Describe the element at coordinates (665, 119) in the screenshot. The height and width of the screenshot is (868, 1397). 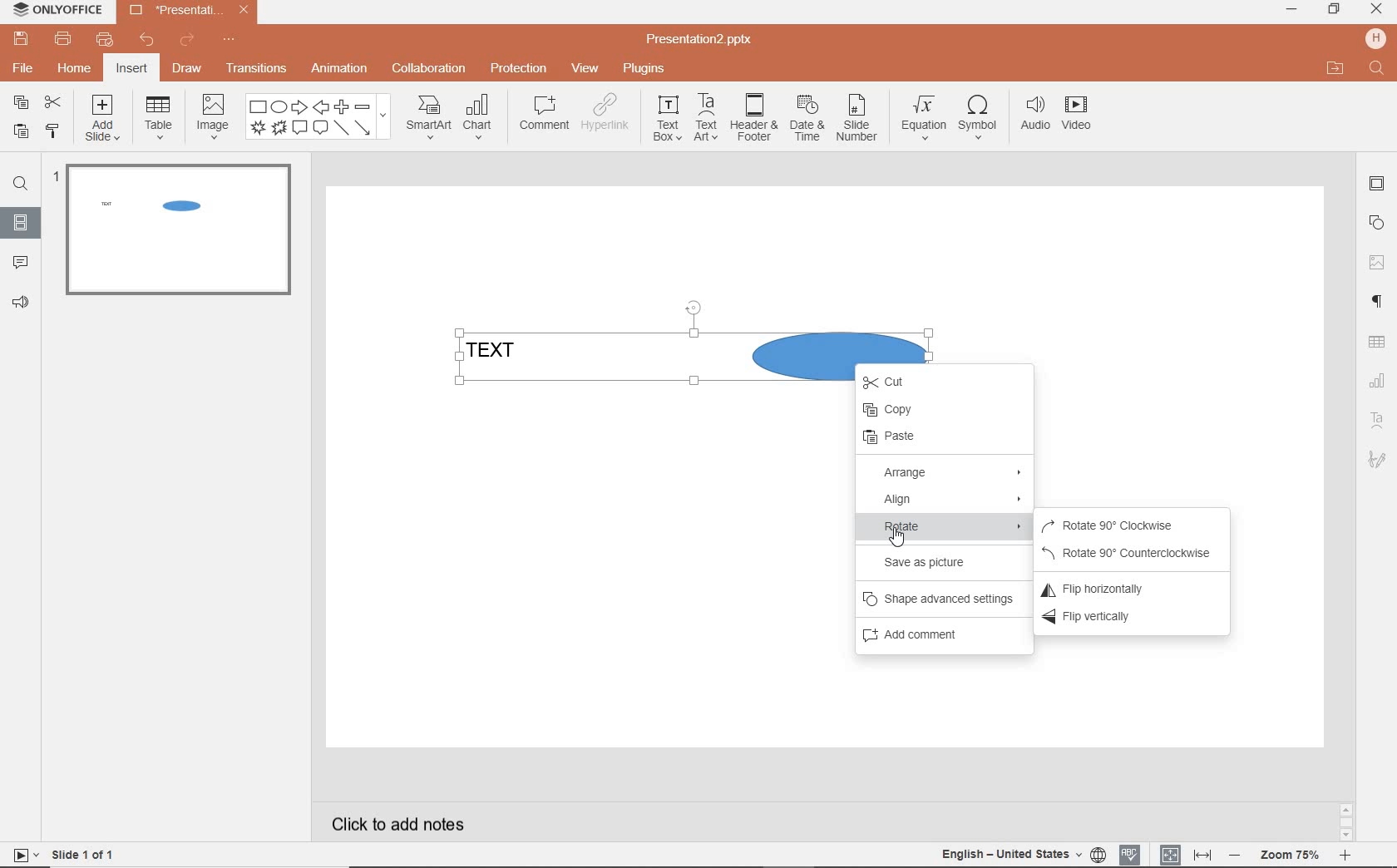
I see `textbox` at that location.